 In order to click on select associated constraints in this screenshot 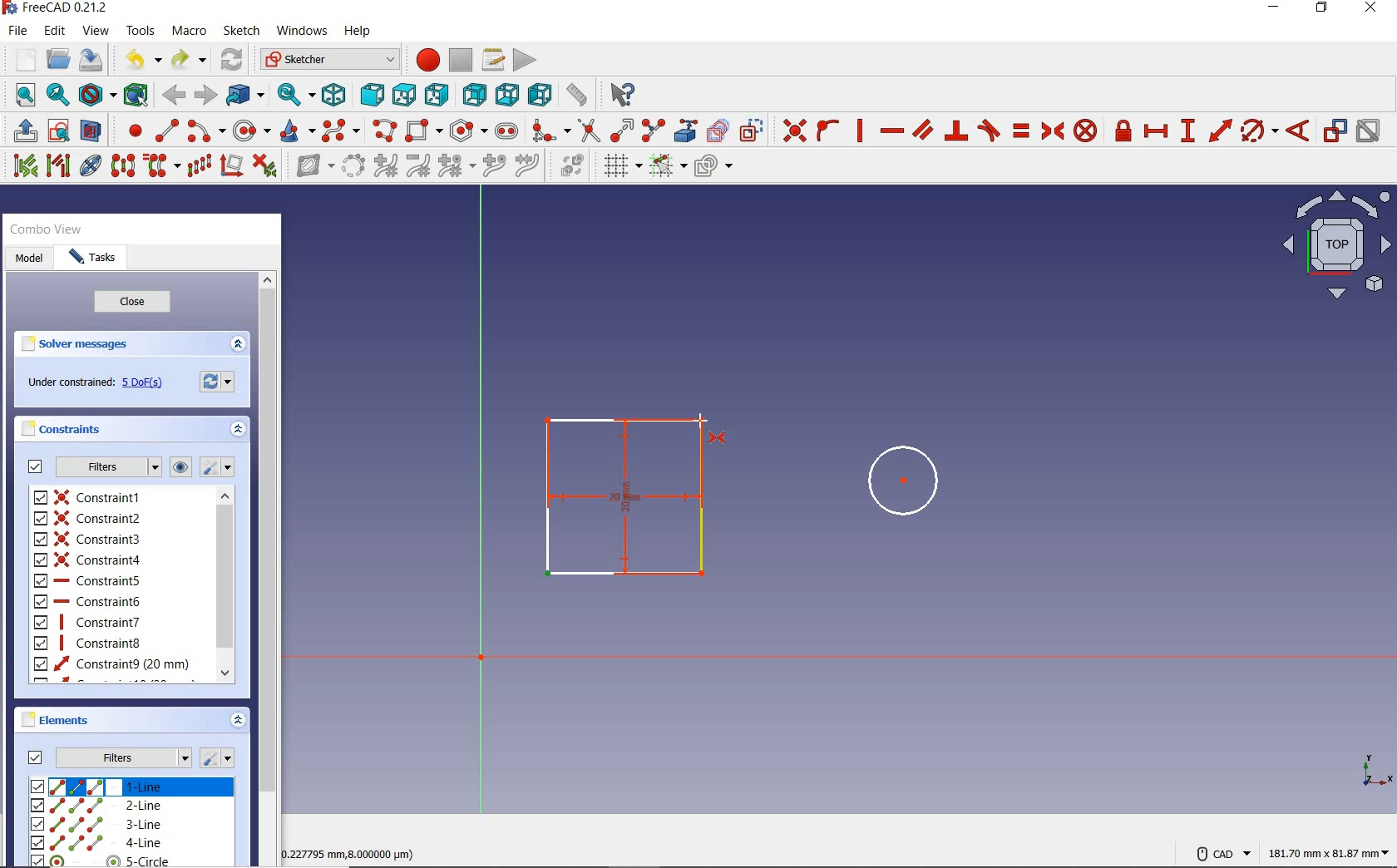, I will do `click(22, 166)`.